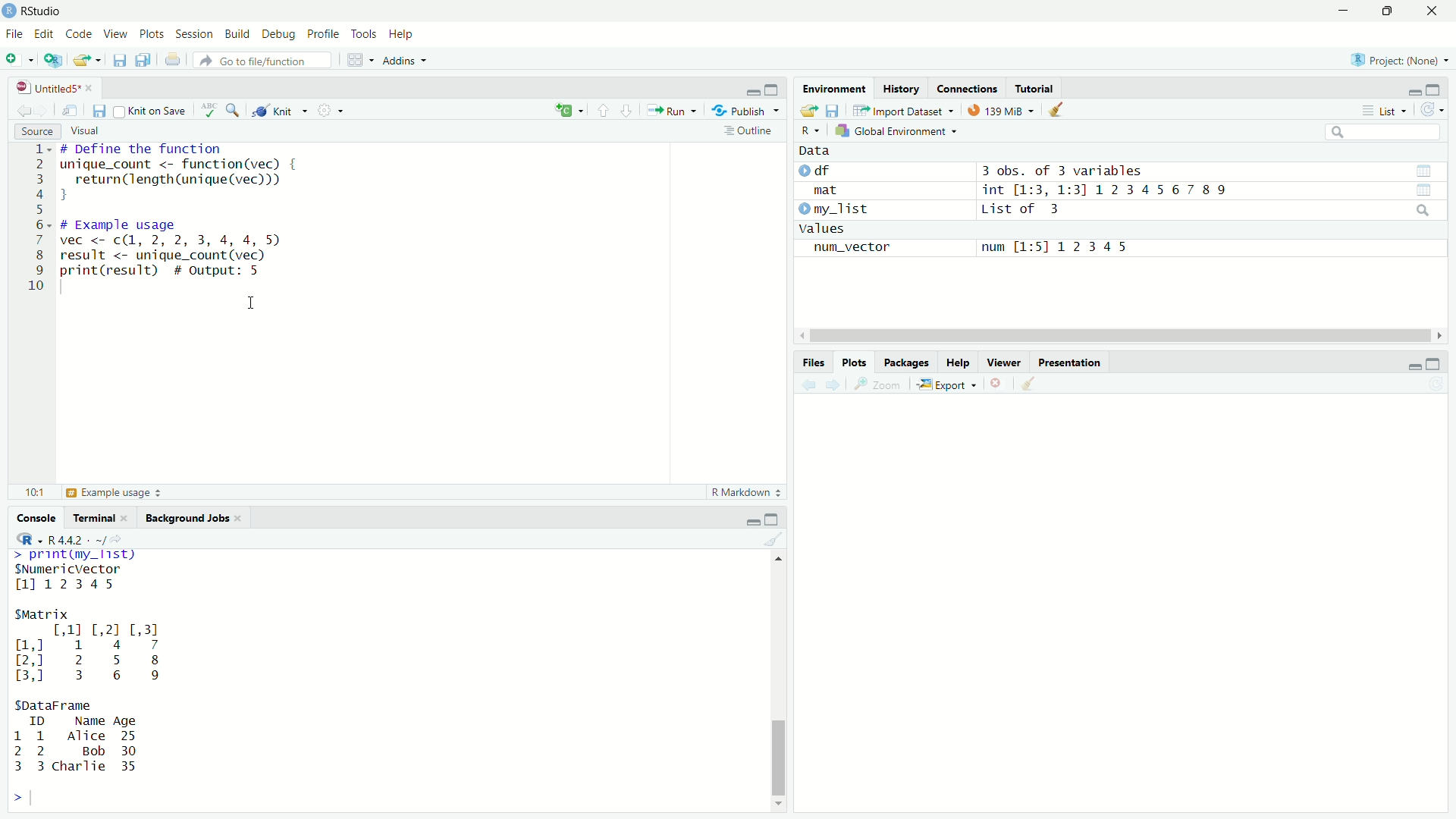 This screenshot has height=819, width=1456. I want to click on workspace panes, so click(354, 60).